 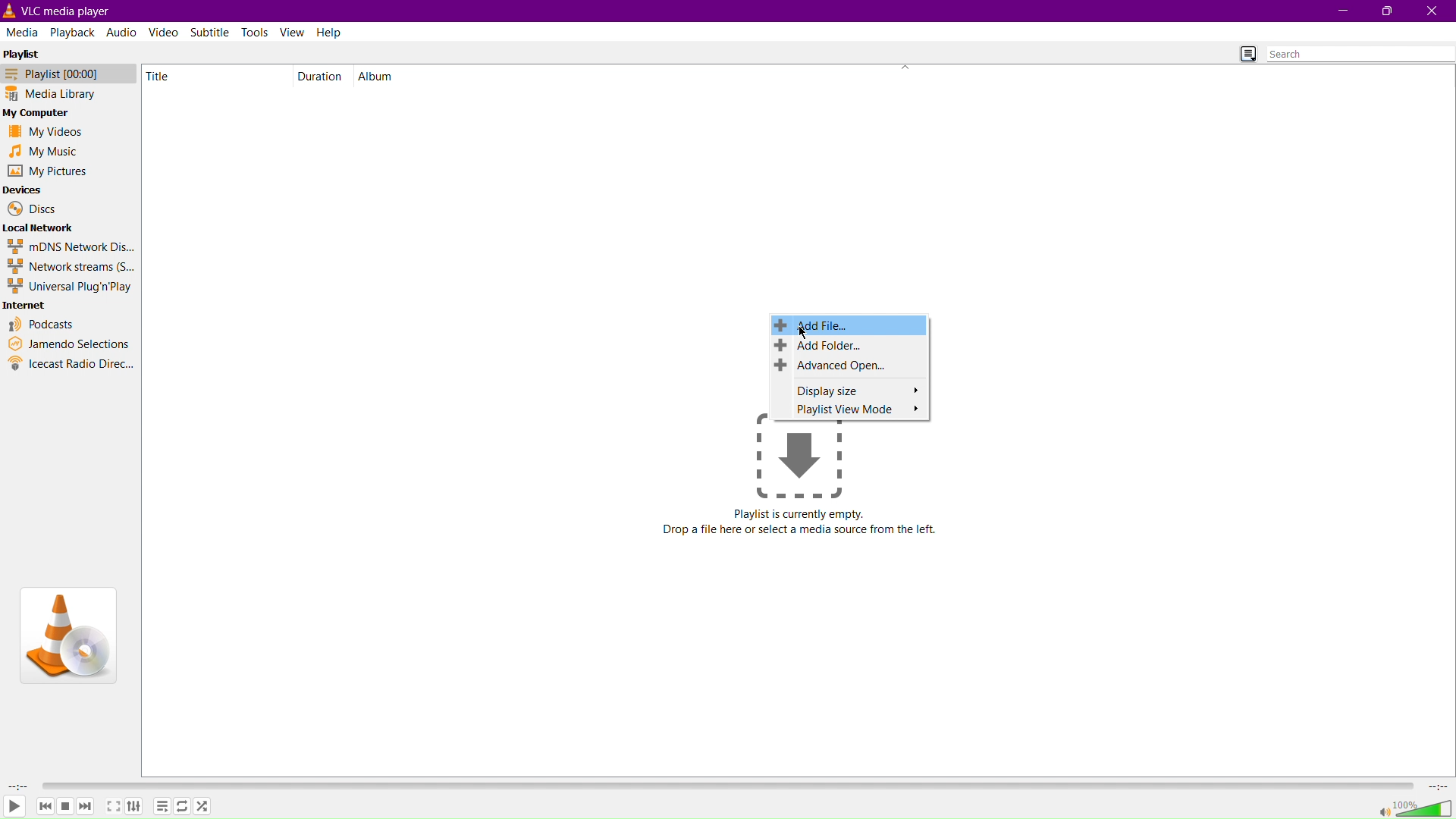 What do you see at coordinates (1243, 52) in the screenshot?
I see `Toggle Playlist view` at bounding box center [1243, 52].